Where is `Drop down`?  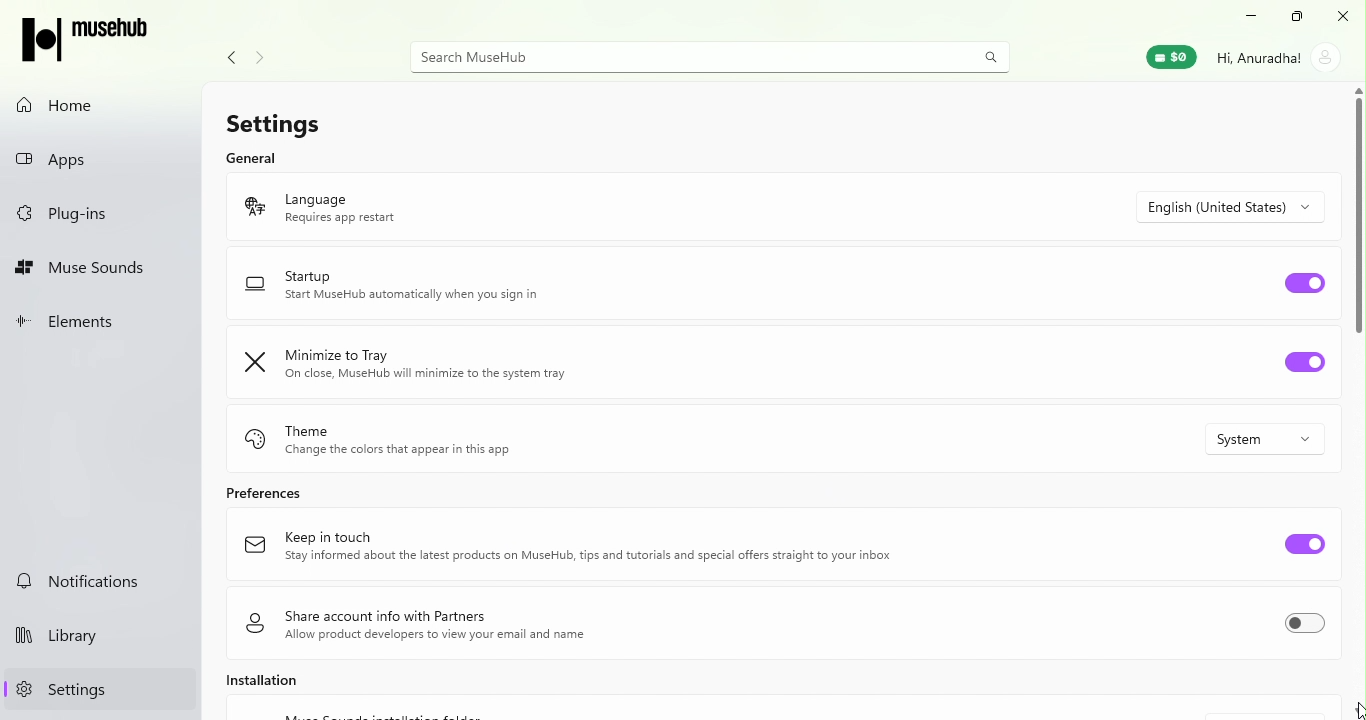 Drop down is located at coordinates (1235, 205).